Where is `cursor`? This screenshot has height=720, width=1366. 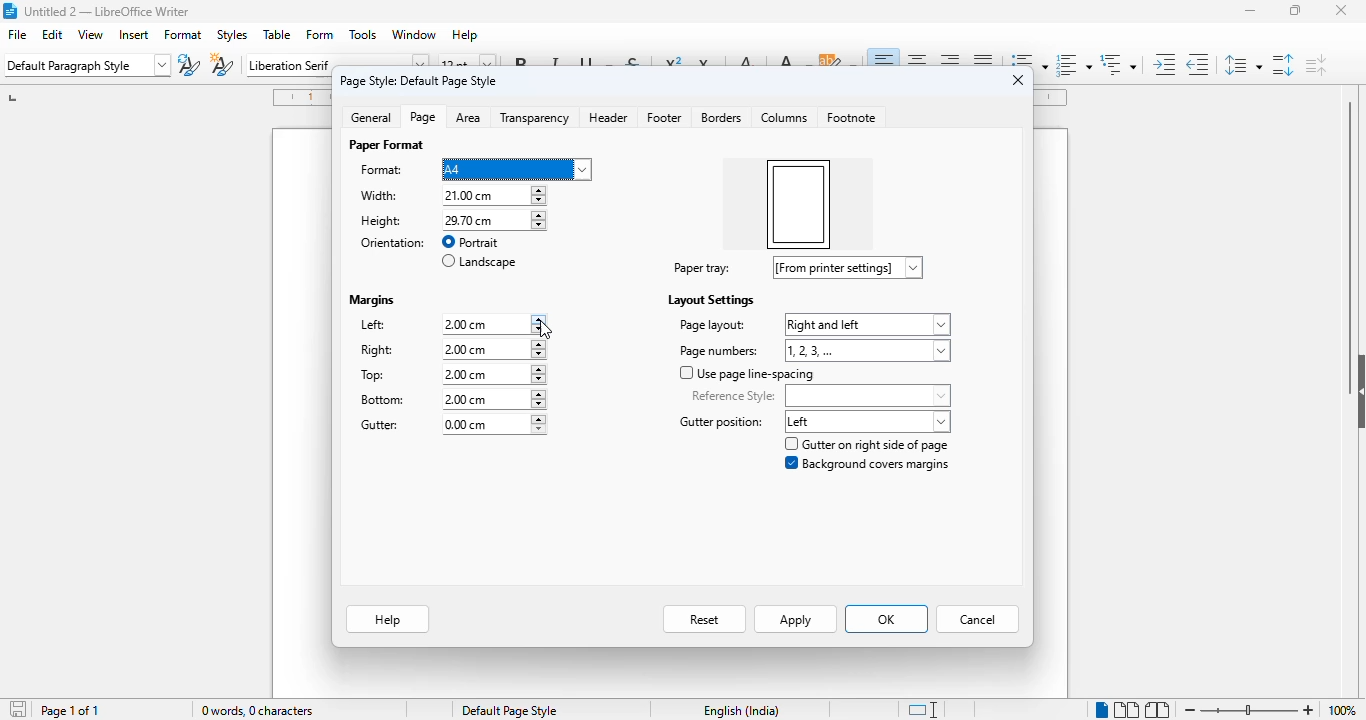 cursor is located at coordinates (547, 330).